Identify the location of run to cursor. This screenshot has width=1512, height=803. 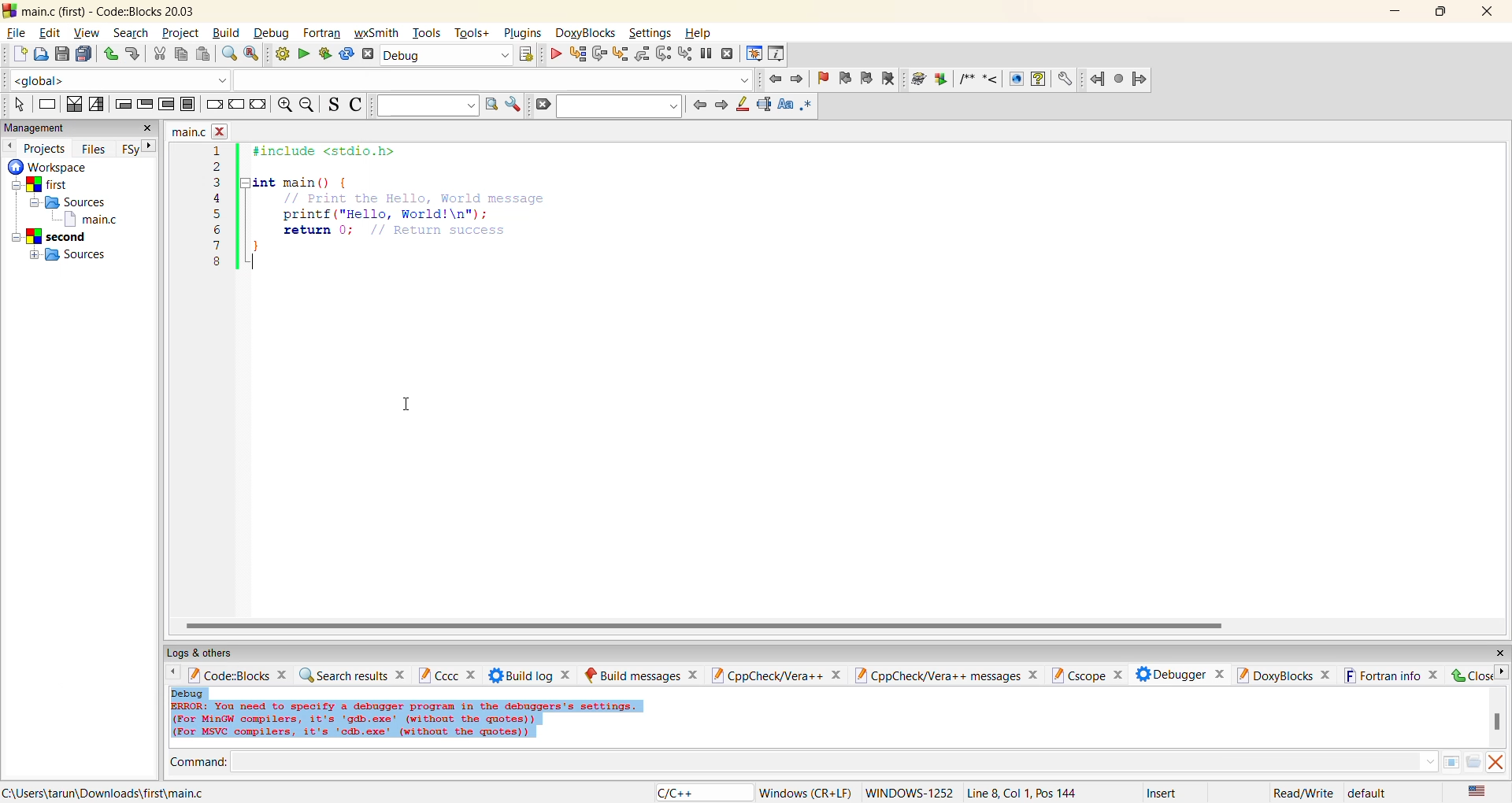
(575, 54).